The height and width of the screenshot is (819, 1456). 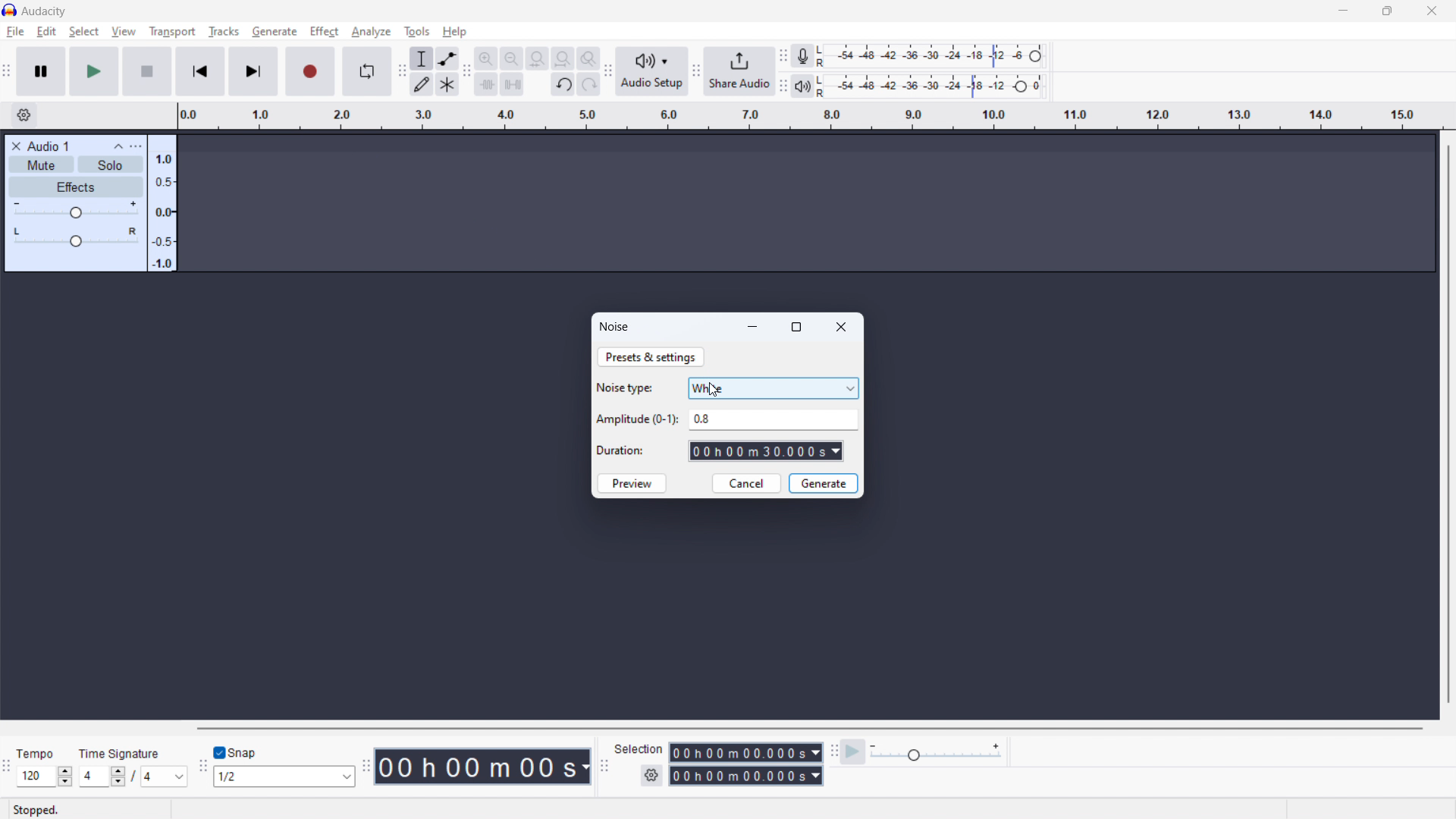 What do you see at coordinates (447, 83) in the screenshot?
I see `multi tool` at bounding box center [447, 83].